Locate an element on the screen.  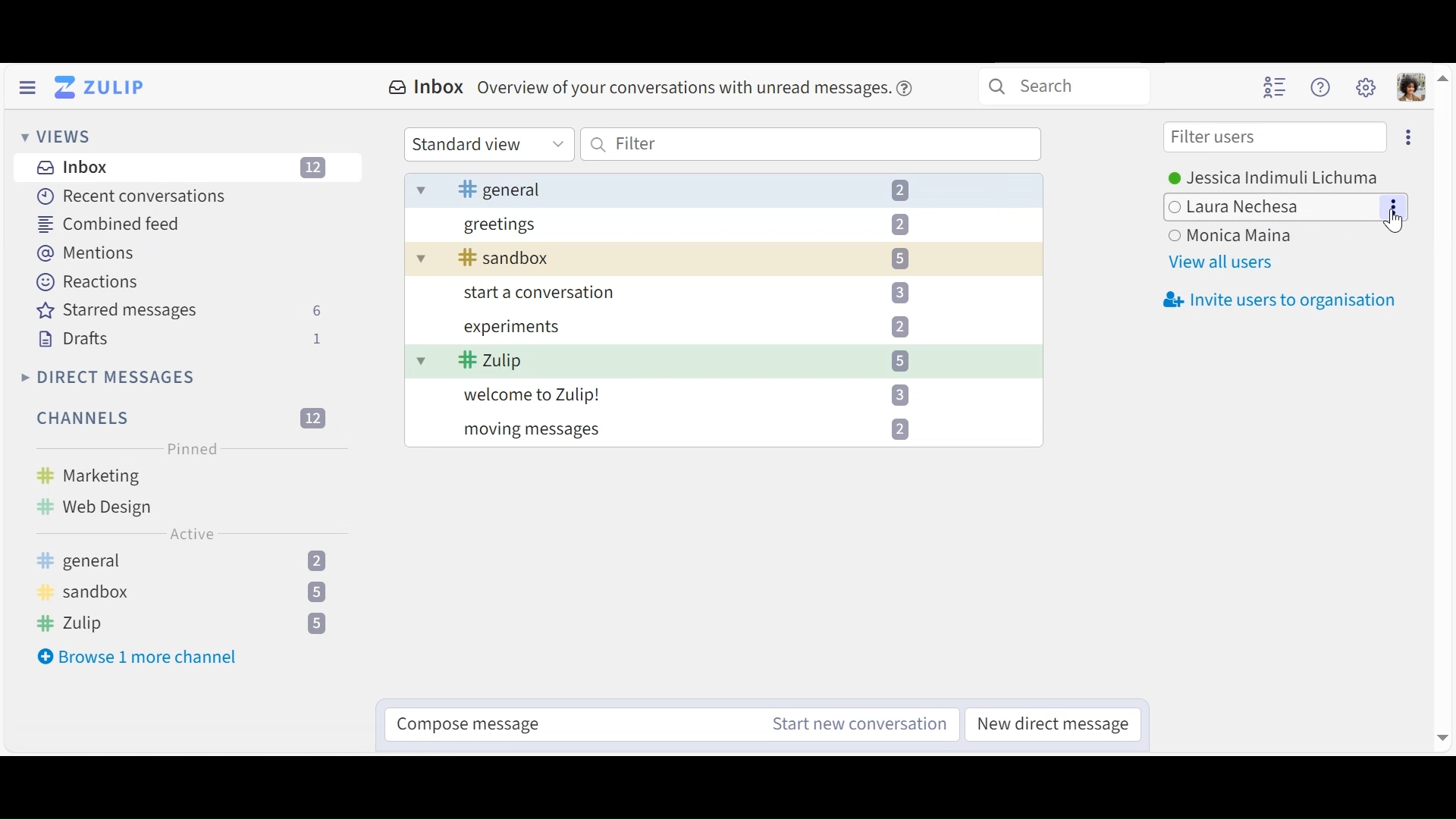
Users is located at coordinates (1282, 175).